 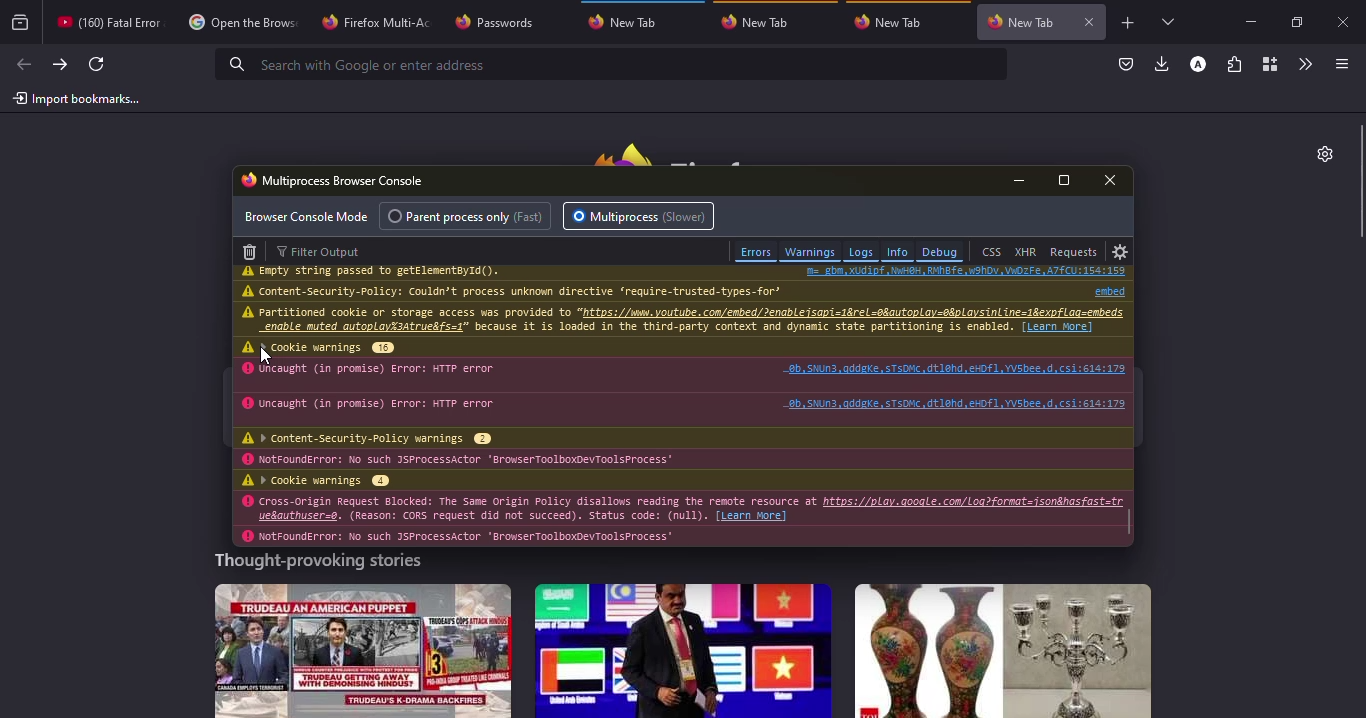 What do you see at coordinates (244, 460) in the screenshot?
I see `warning` at bounding box center [244, 460].